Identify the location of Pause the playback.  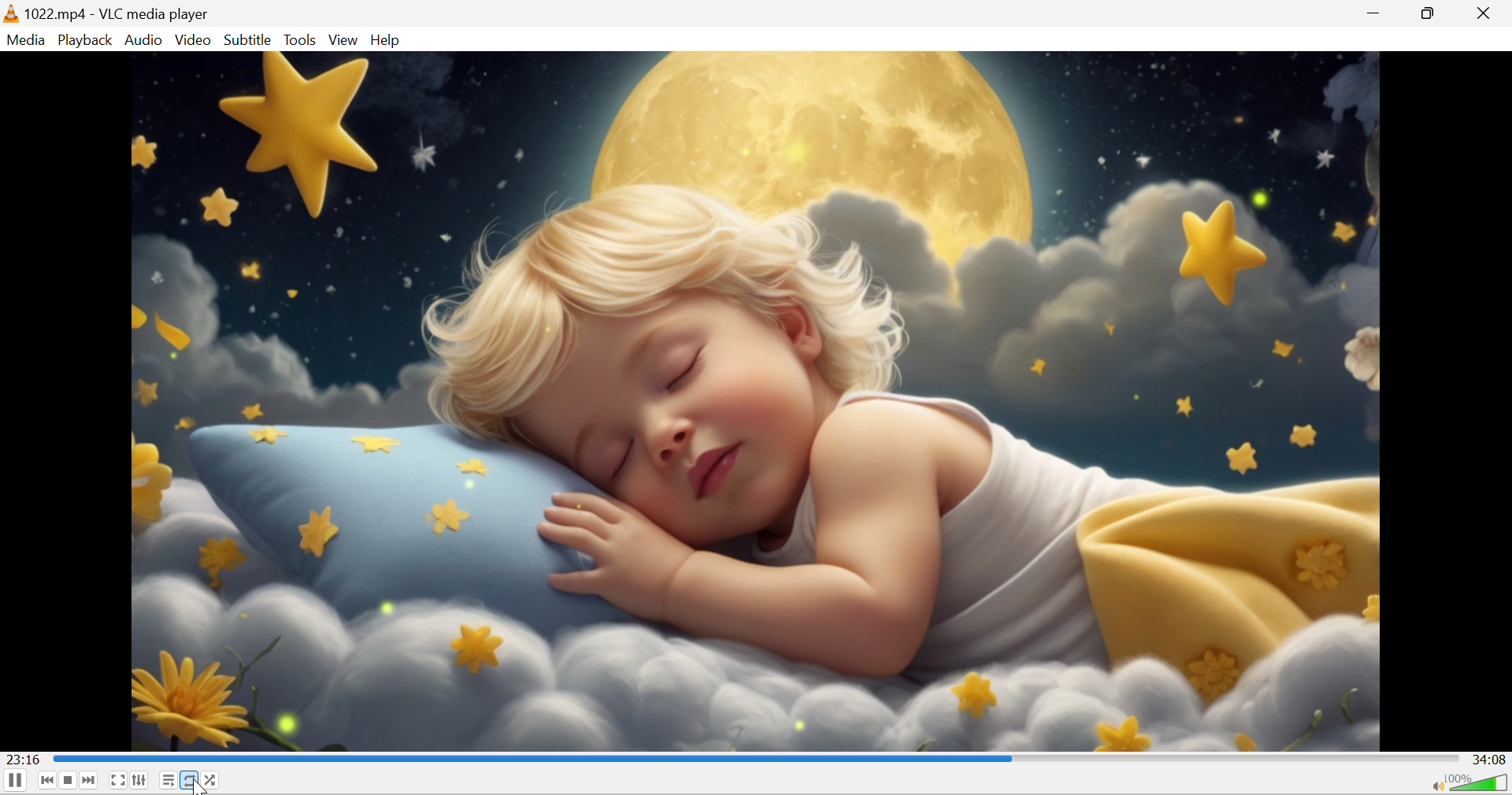
(15, 782).